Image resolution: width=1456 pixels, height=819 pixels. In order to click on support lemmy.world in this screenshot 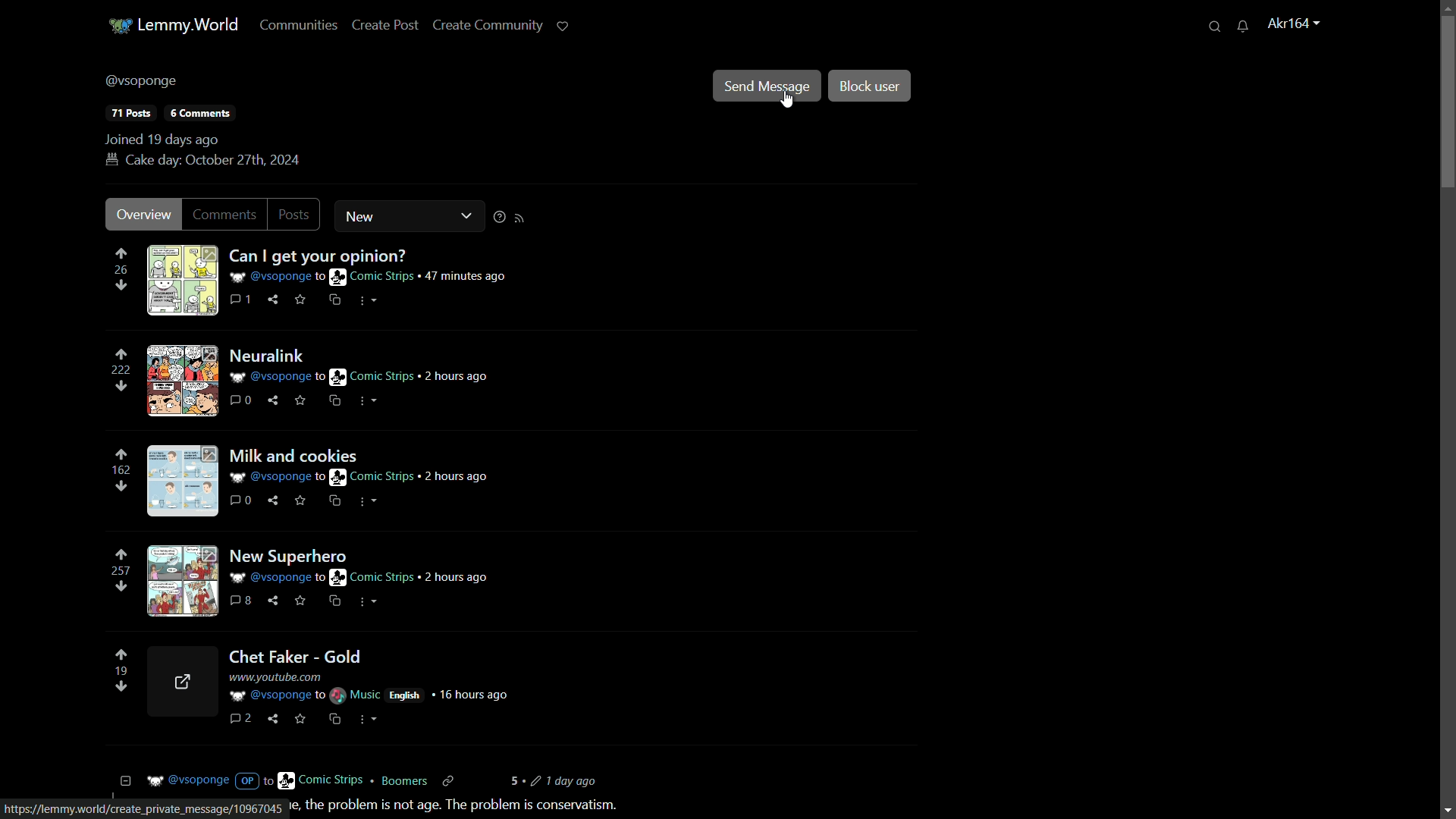, I will do `click(563, 27)`.